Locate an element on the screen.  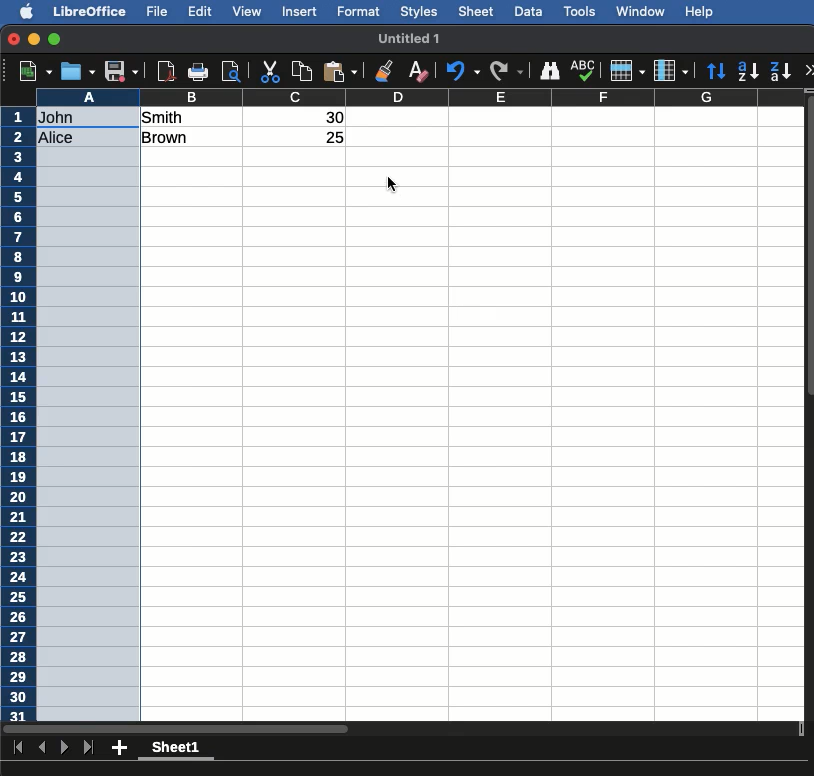
Clear formatting is located at coordinates (421, 71).